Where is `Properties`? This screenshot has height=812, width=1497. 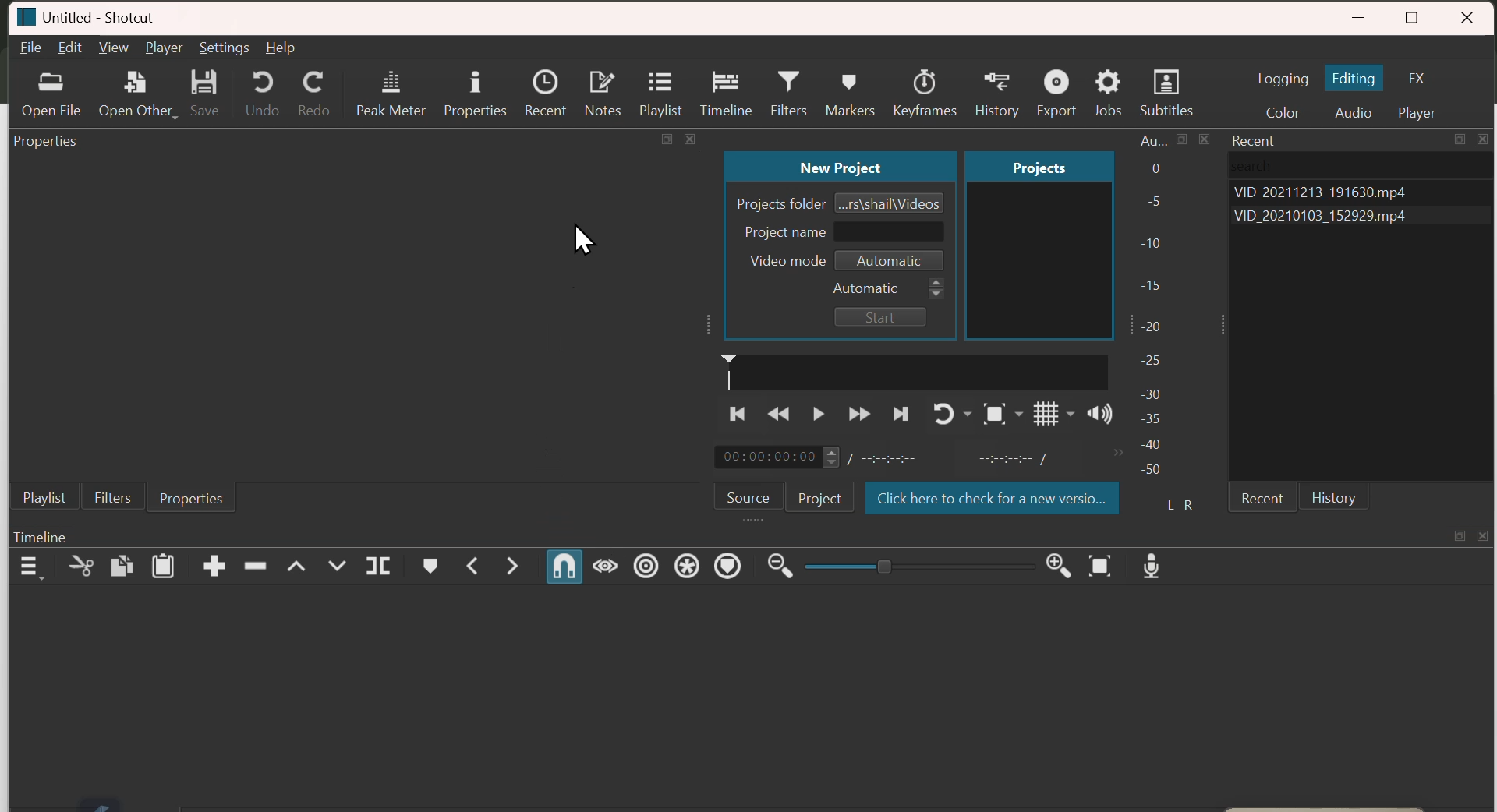
Properties is located at coordinates (473, 86).